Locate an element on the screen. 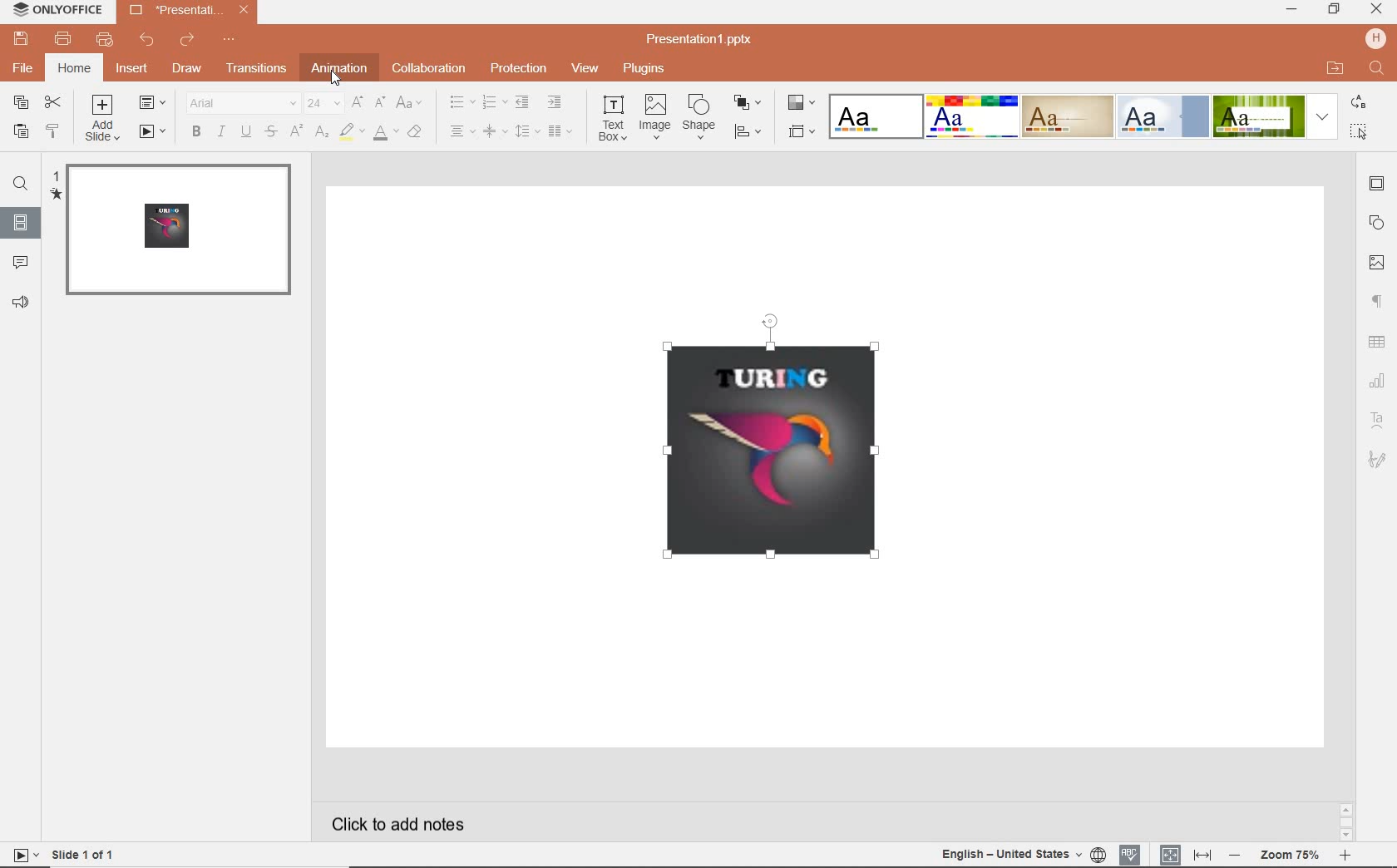 The width and height of the screenshot is (1397, 868). text language is located at coordinates (1009, 853).